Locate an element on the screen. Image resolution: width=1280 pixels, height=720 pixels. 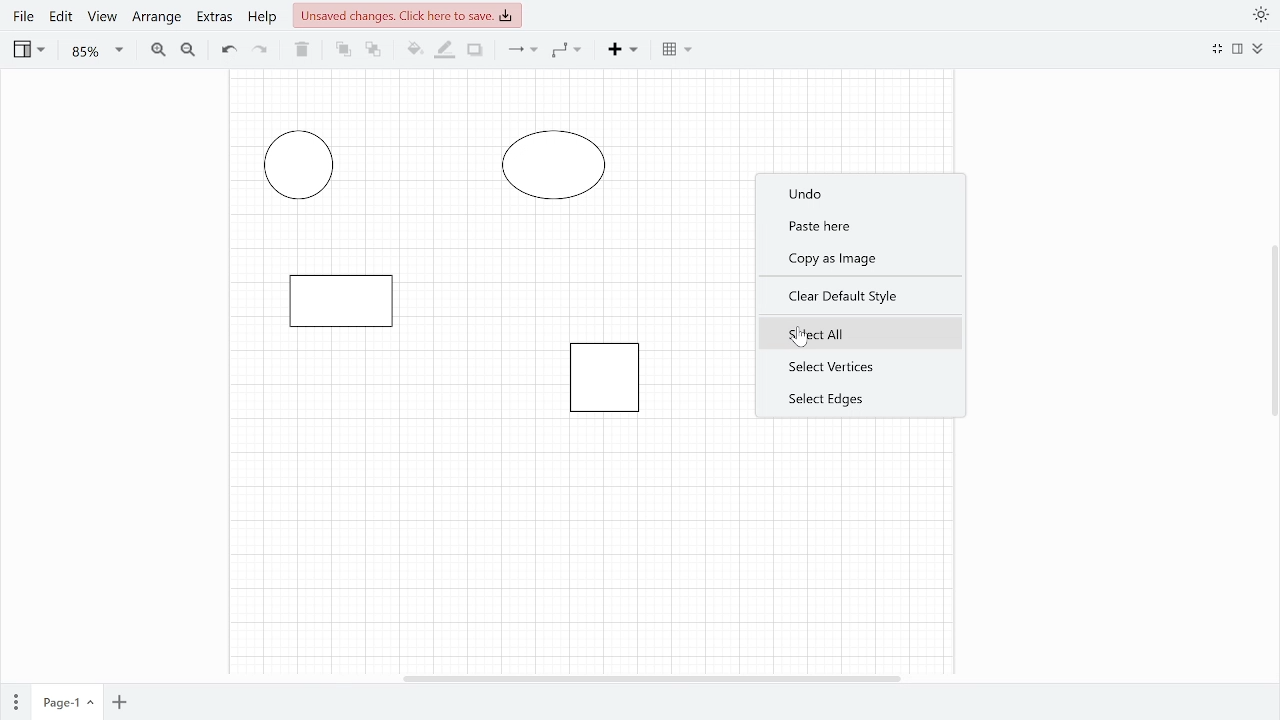
Edit is located at coordinates (62, 18).